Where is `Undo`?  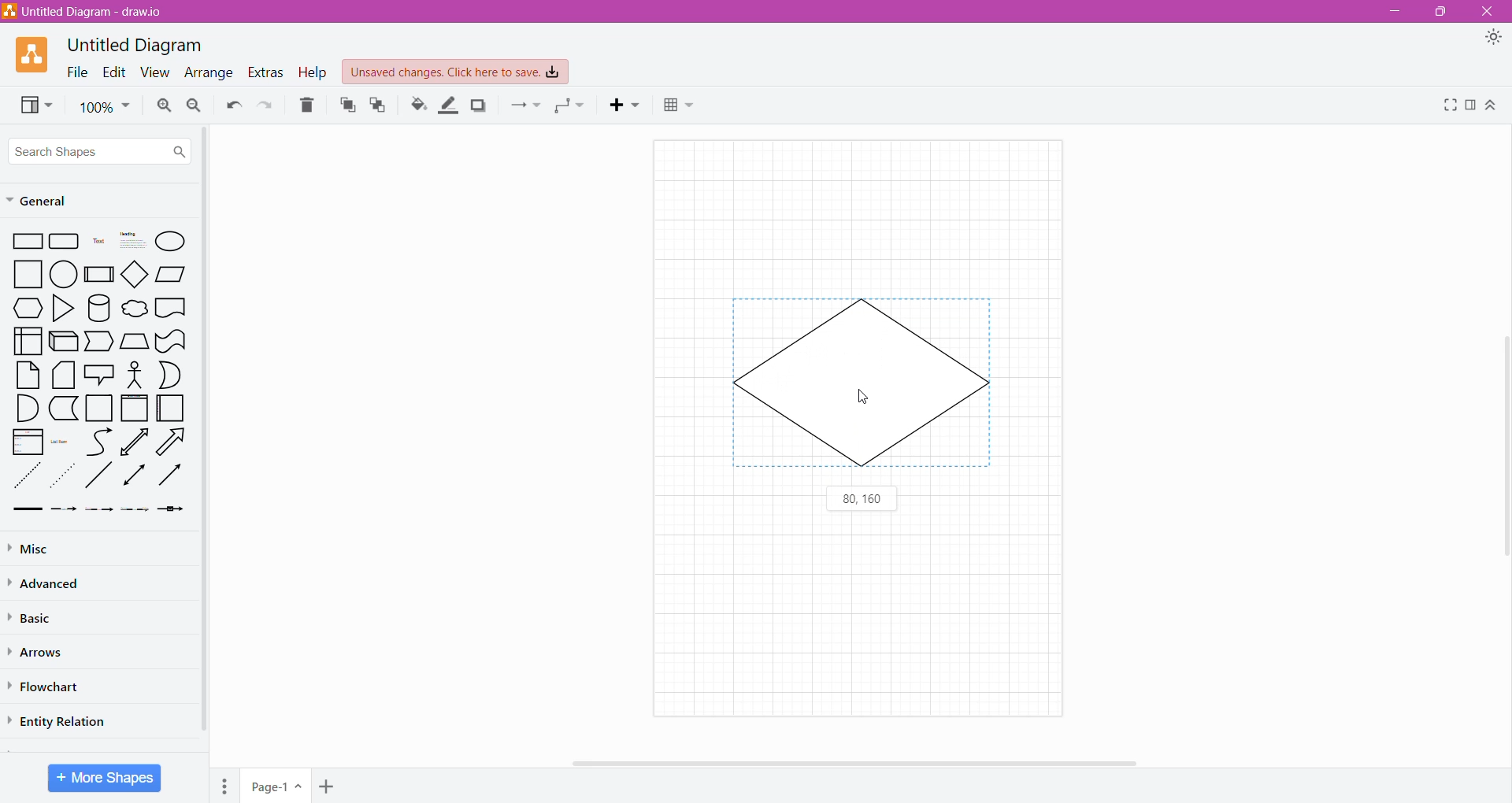
Undo is located at coordinates (232, 105).